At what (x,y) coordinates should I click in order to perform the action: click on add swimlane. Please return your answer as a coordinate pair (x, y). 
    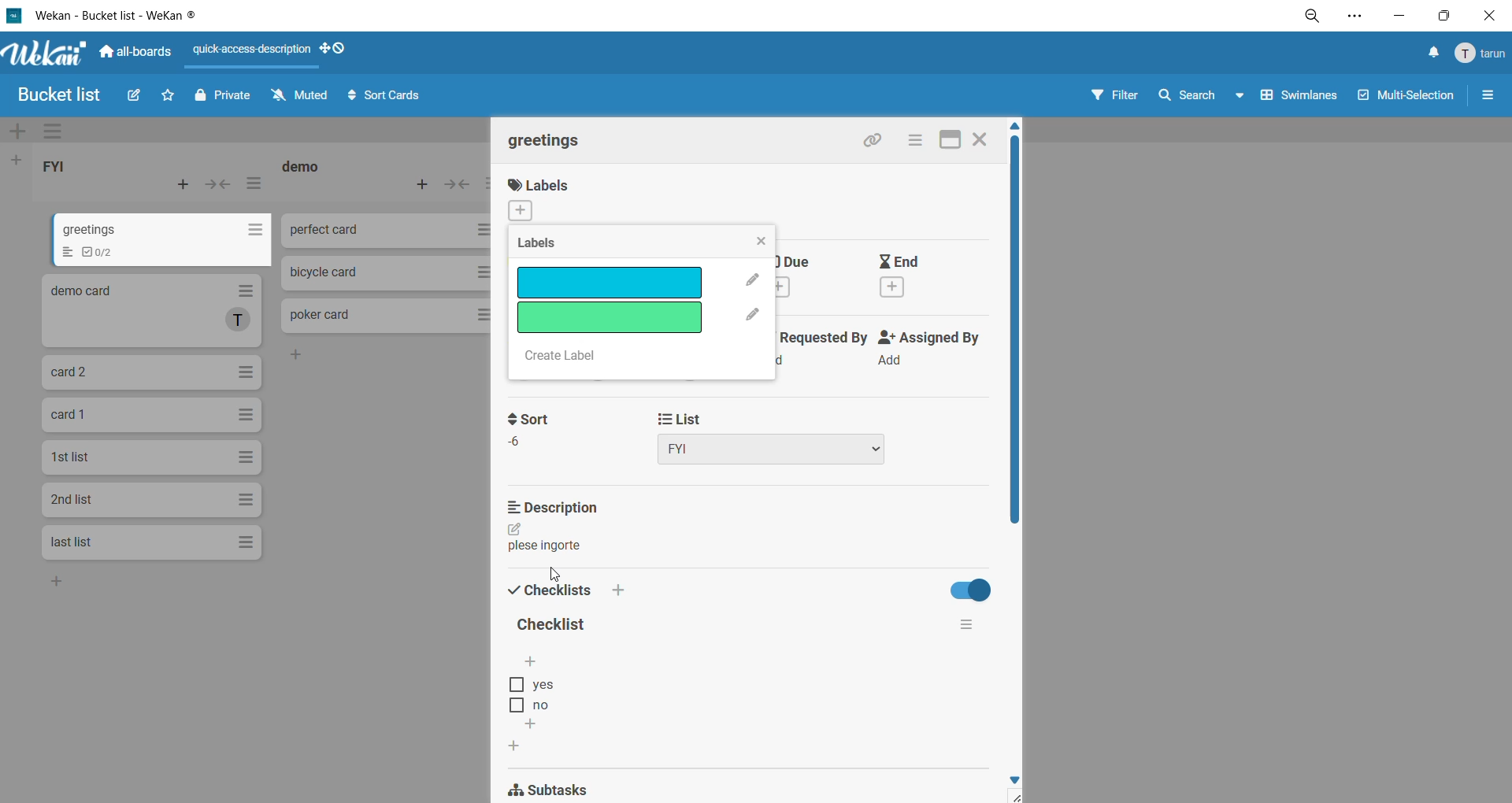
    Looking at the image, I should click on (15, 133).